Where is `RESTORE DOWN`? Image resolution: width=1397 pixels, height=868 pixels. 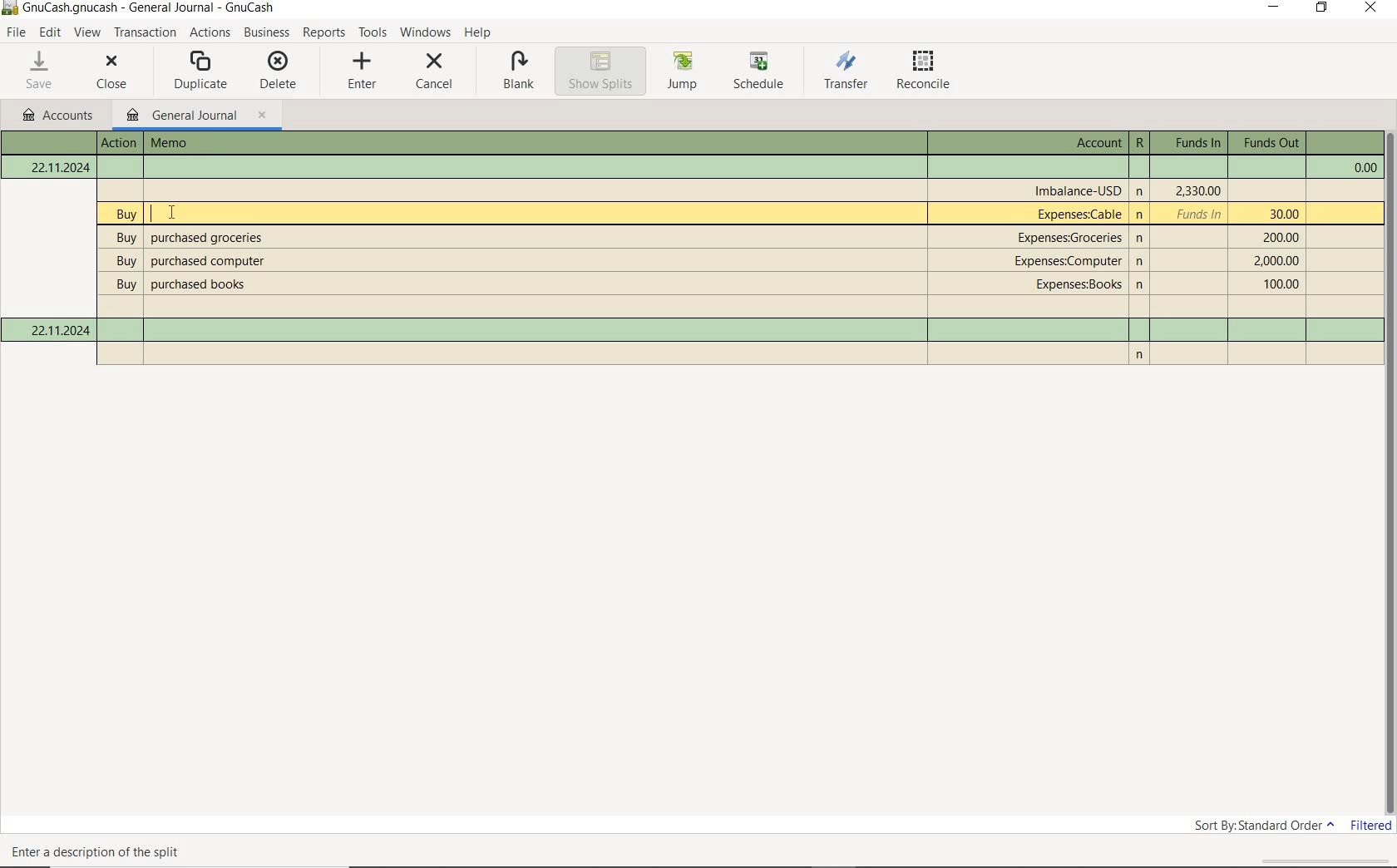 RESTORE DOWN is located at coordinates (1322, 7).